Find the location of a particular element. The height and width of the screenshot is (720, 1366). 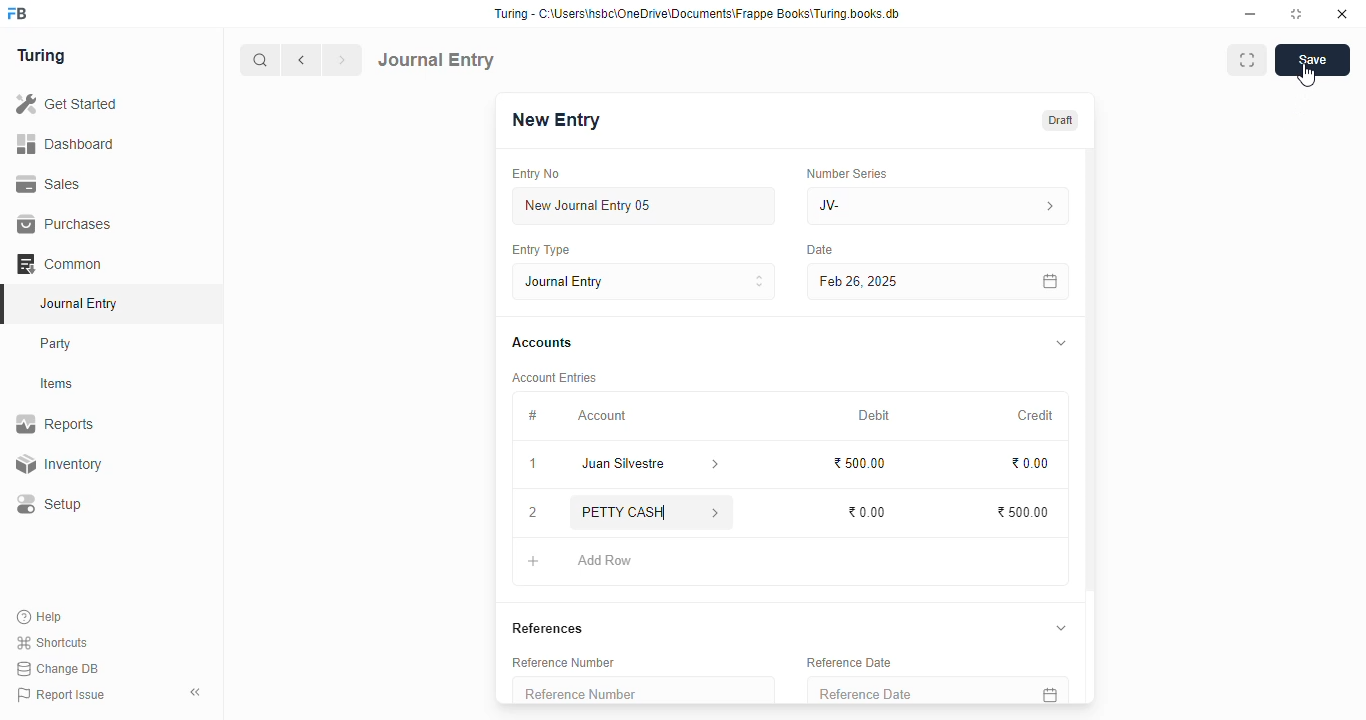

accounts is located at coordinates (542, 343).